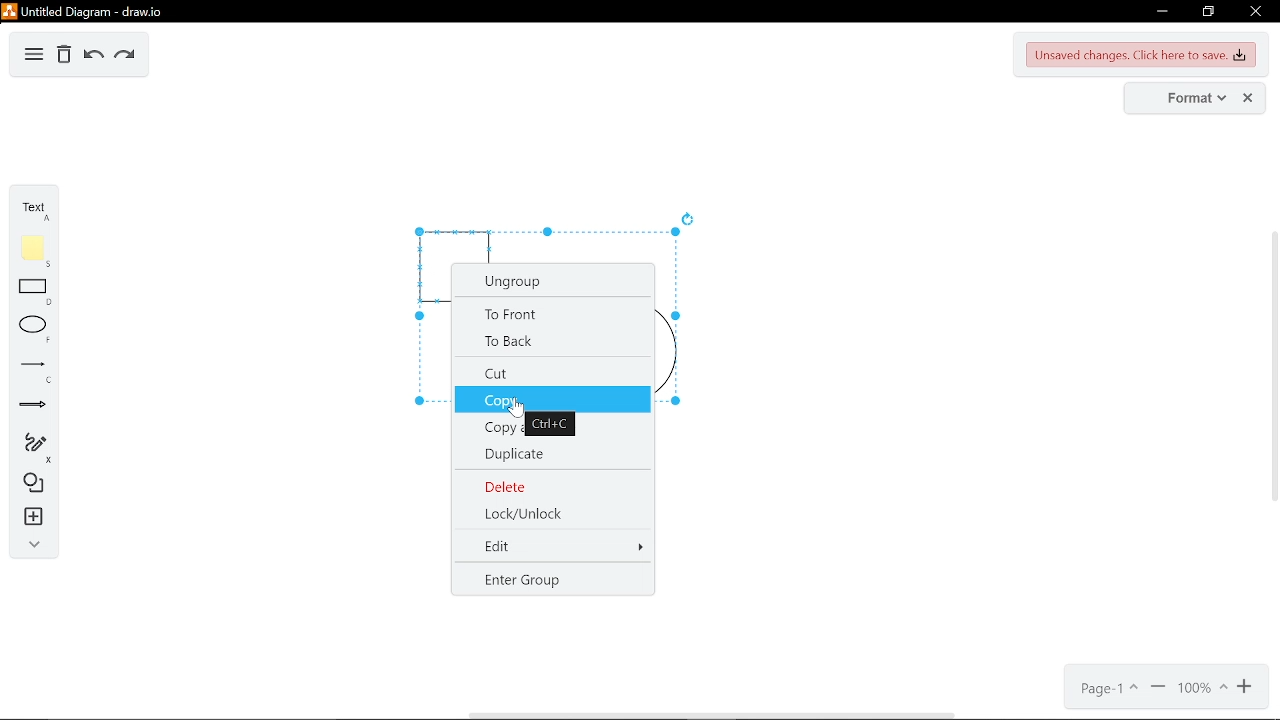 This screenshot has height=720, width=1280. Describe the element at coordinates (34, 55) in the screenshot. I see `diagram` at that location.